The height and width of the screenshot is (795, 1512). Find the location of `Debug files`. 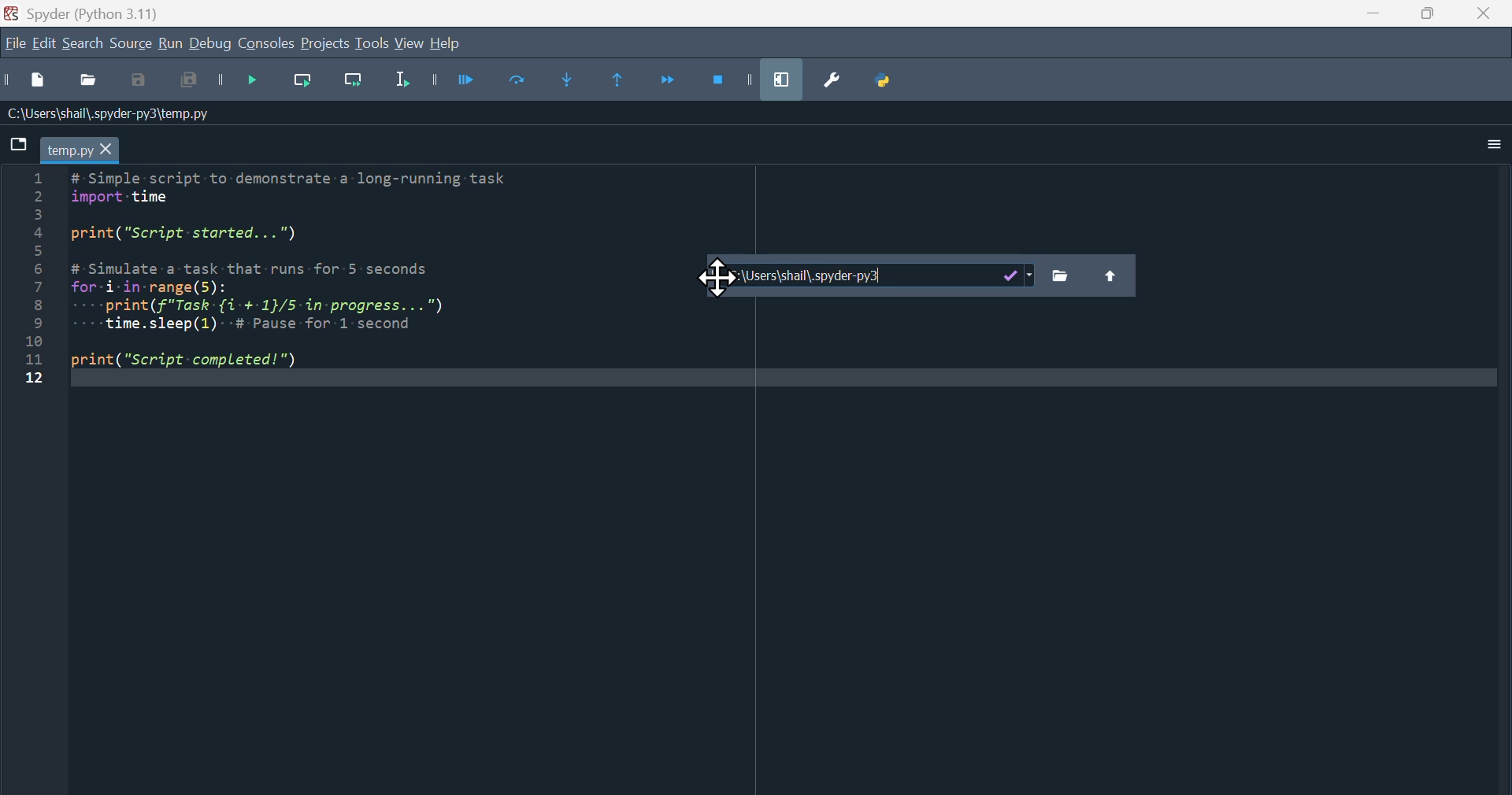

Debug files is located at coordinates (470, 83).